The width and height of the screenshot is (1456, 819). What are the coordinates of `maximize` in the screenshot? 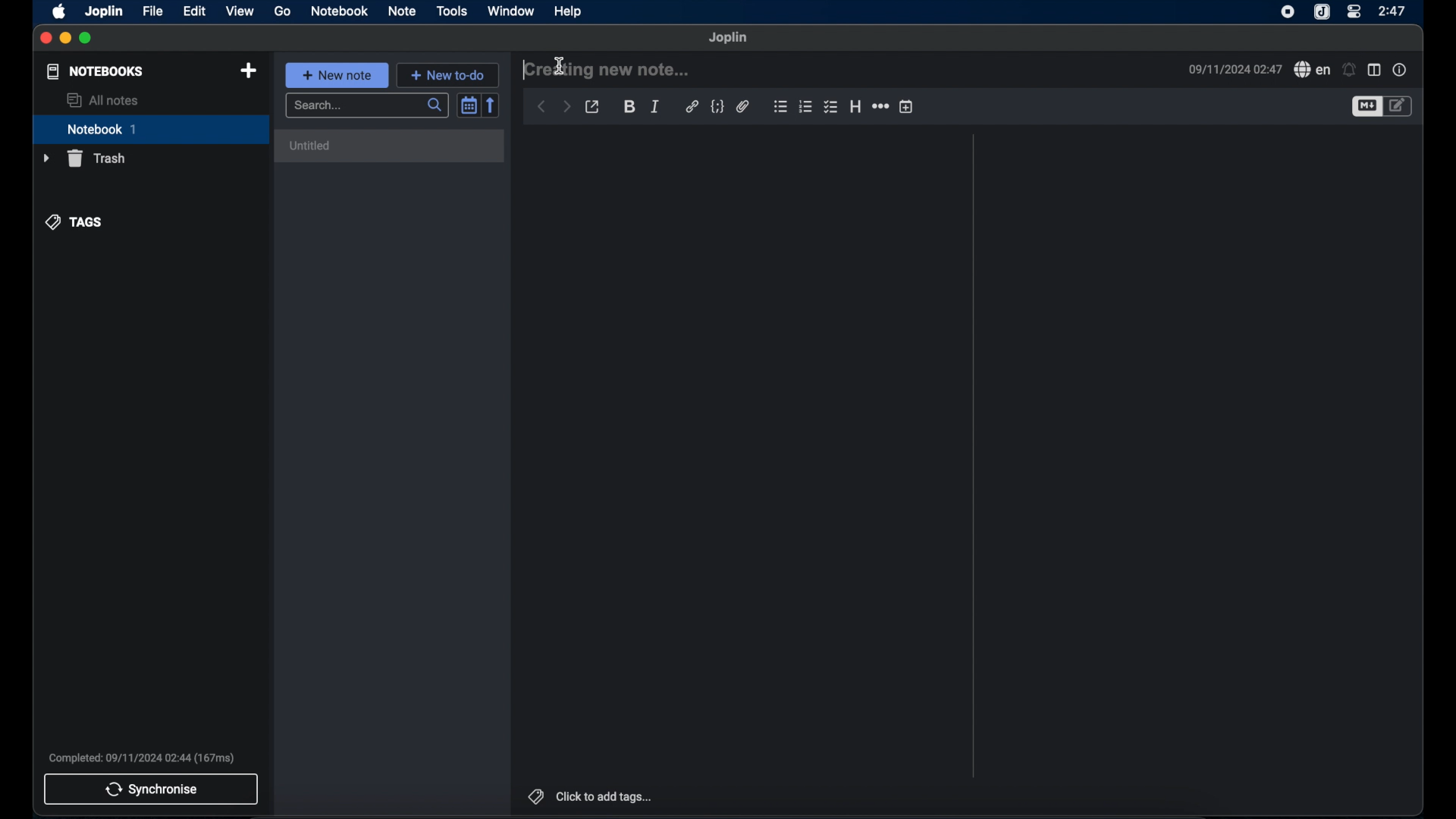 It's located at (86, 38).